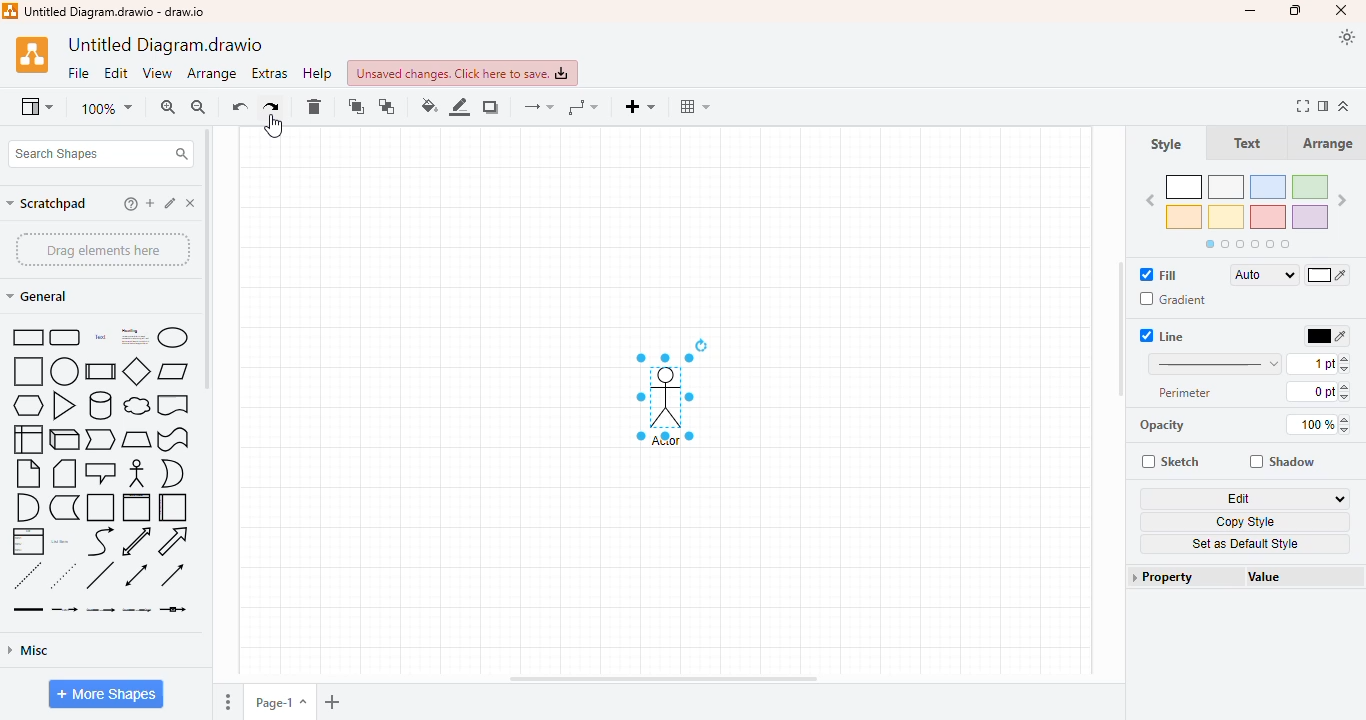  I want to click on line, so click(1163, 335).